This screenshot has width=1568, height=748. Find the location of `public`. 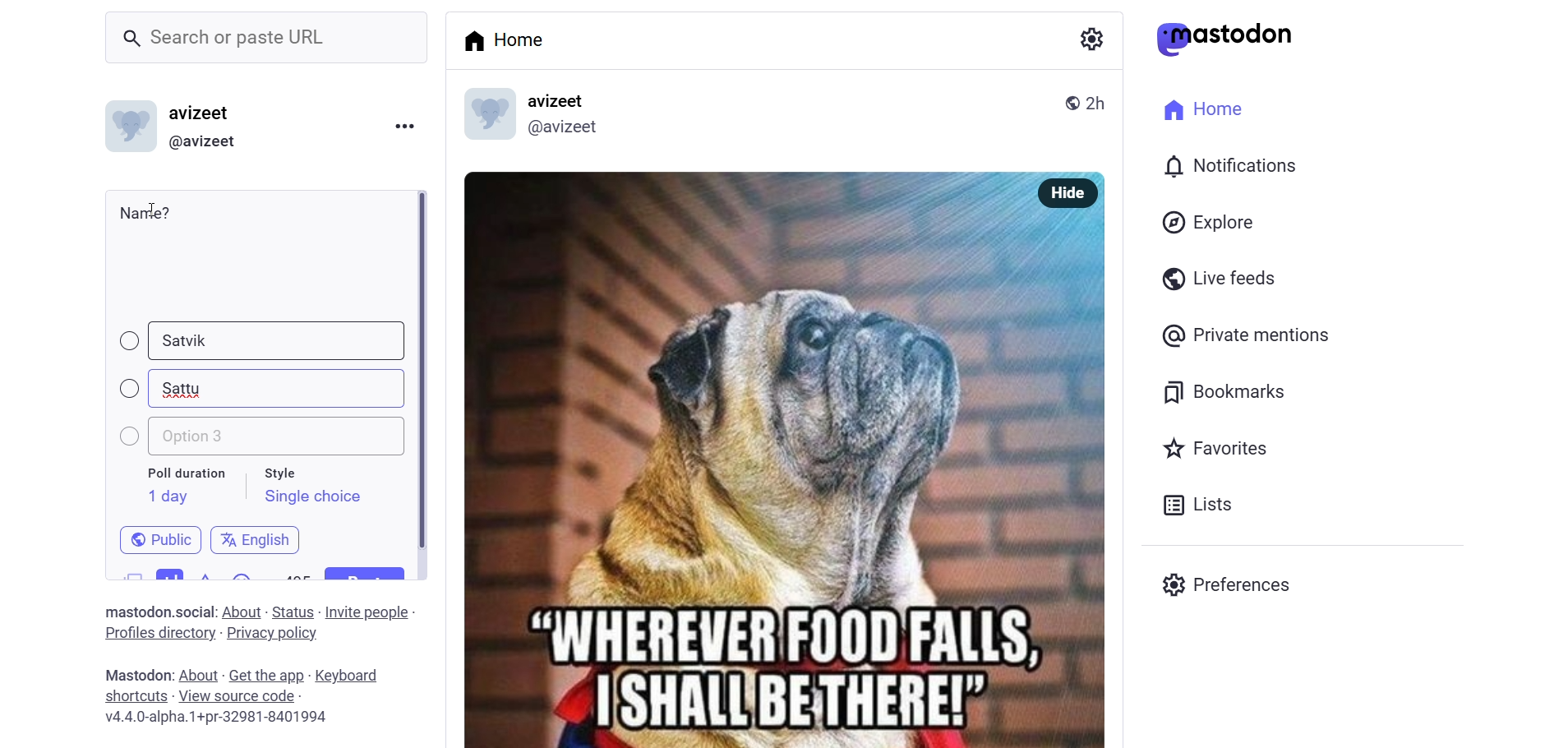

public is located at coordinates (160, 535).